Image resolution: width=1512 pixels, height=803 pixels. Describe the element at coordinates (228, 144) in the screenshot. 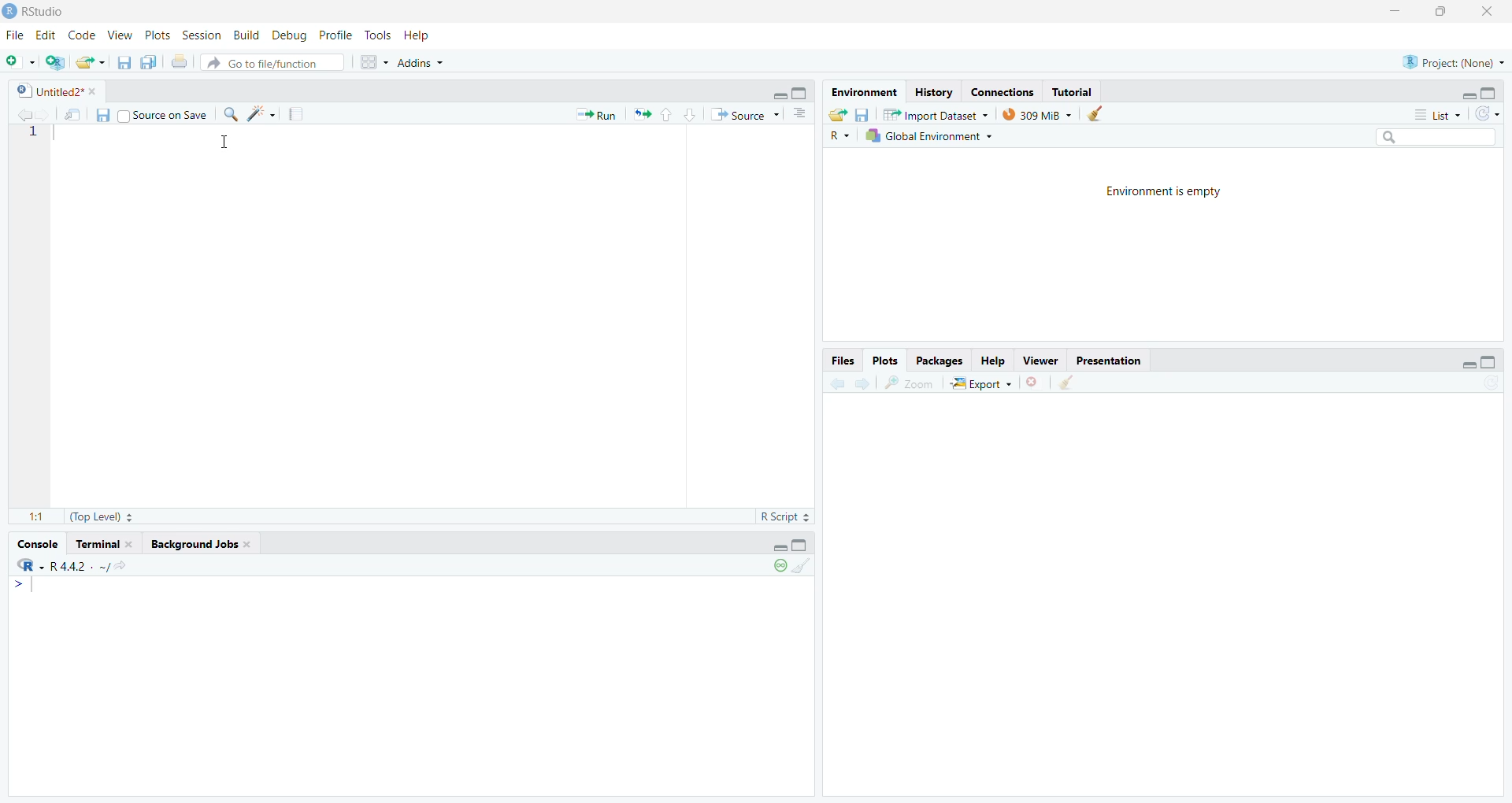

I see `cursor` at that location.